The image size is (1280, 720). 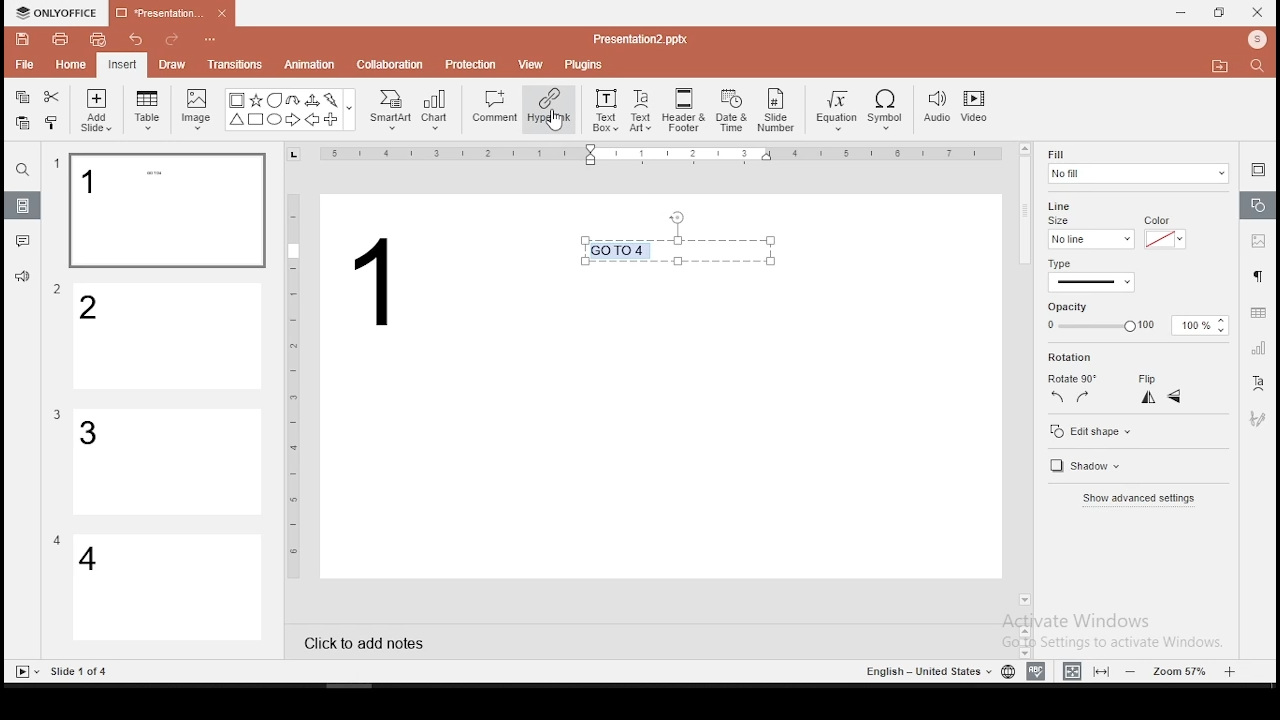 What do you see at coordinates (1259, 206) in the screenshot?
I see `shape settings` at bounding box center [1259, 206].